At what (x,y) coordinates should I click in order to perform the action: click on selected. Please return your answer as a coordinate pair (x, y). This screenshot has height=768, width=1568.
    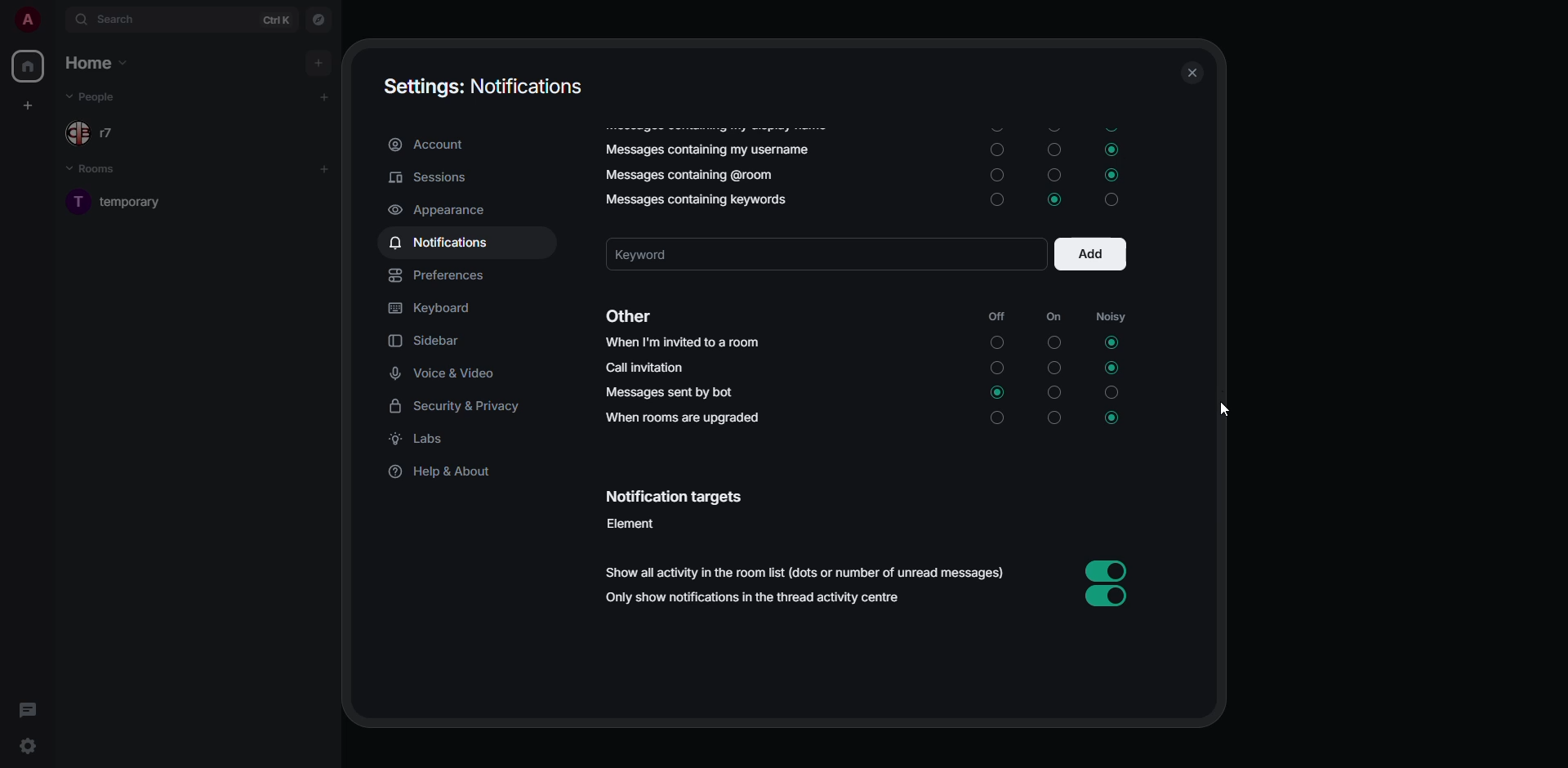
    Looking at the image, I should click on (998, 392).